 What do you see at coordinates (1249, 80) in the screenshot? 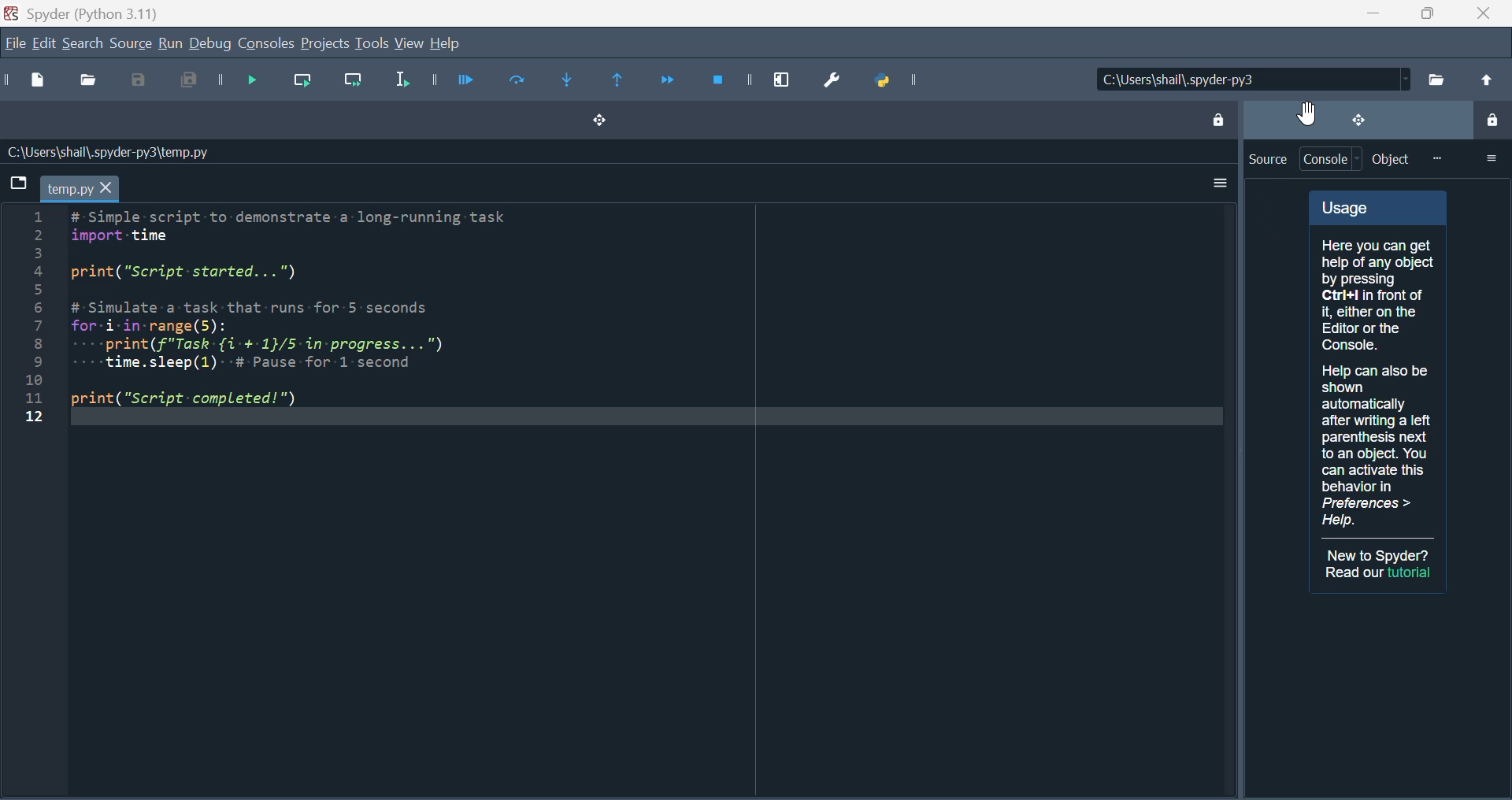
I see `C:\Users\shail\.spyder-py3` at bounding box center [1249, 80].